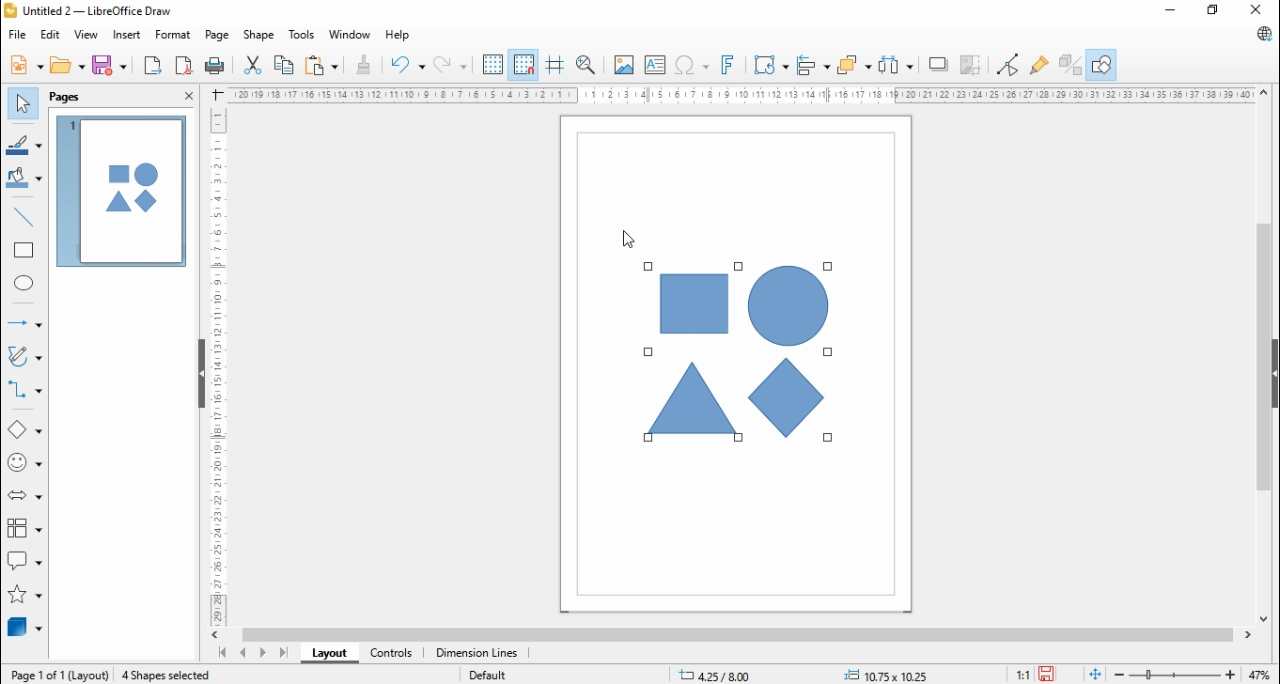  Describe the element at coordinates (153, 65) in the screenshot. I see `export` at that location.